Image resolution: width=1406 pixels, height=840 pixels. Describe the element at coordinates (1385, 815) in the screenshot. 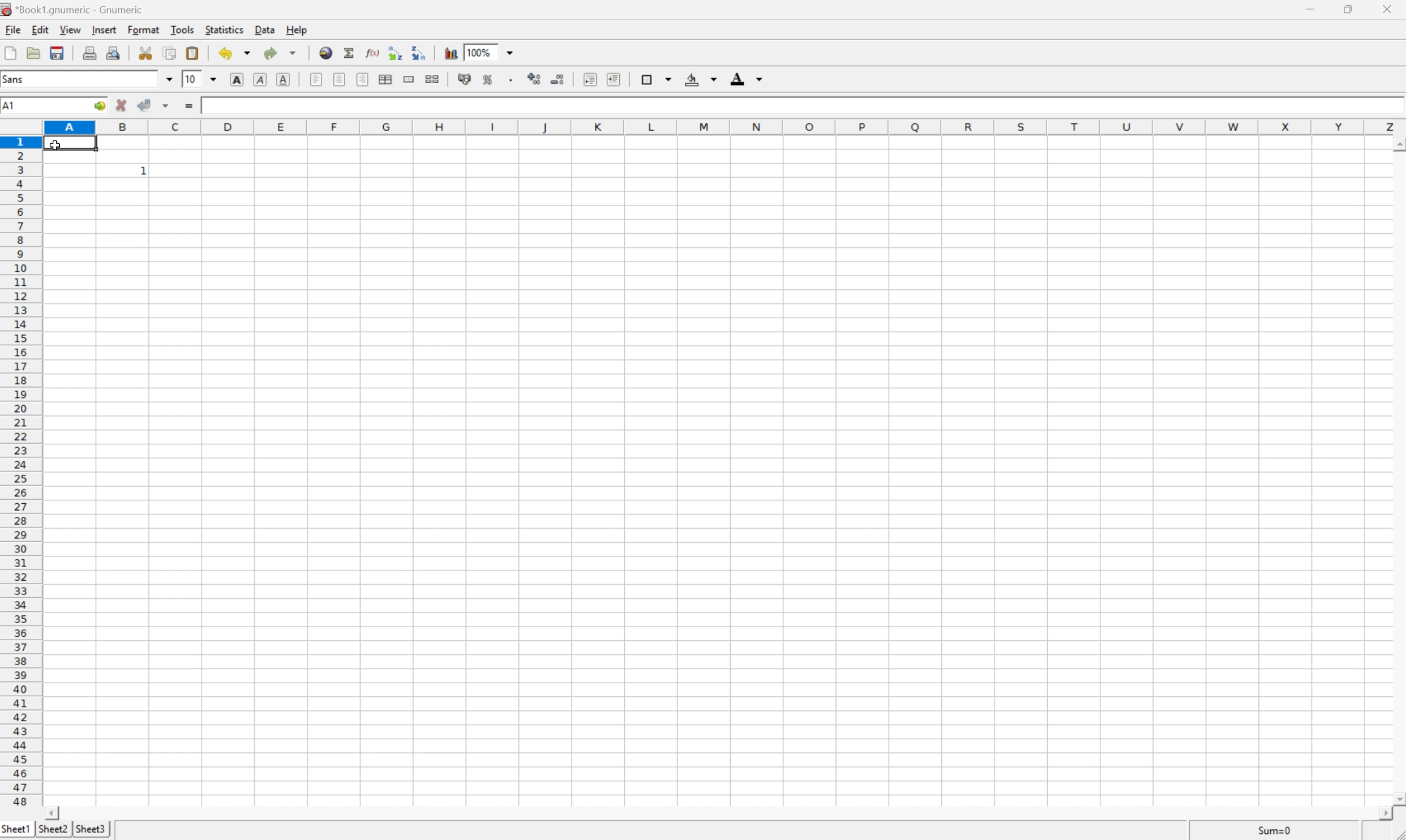

I see `scroll right` at that location.